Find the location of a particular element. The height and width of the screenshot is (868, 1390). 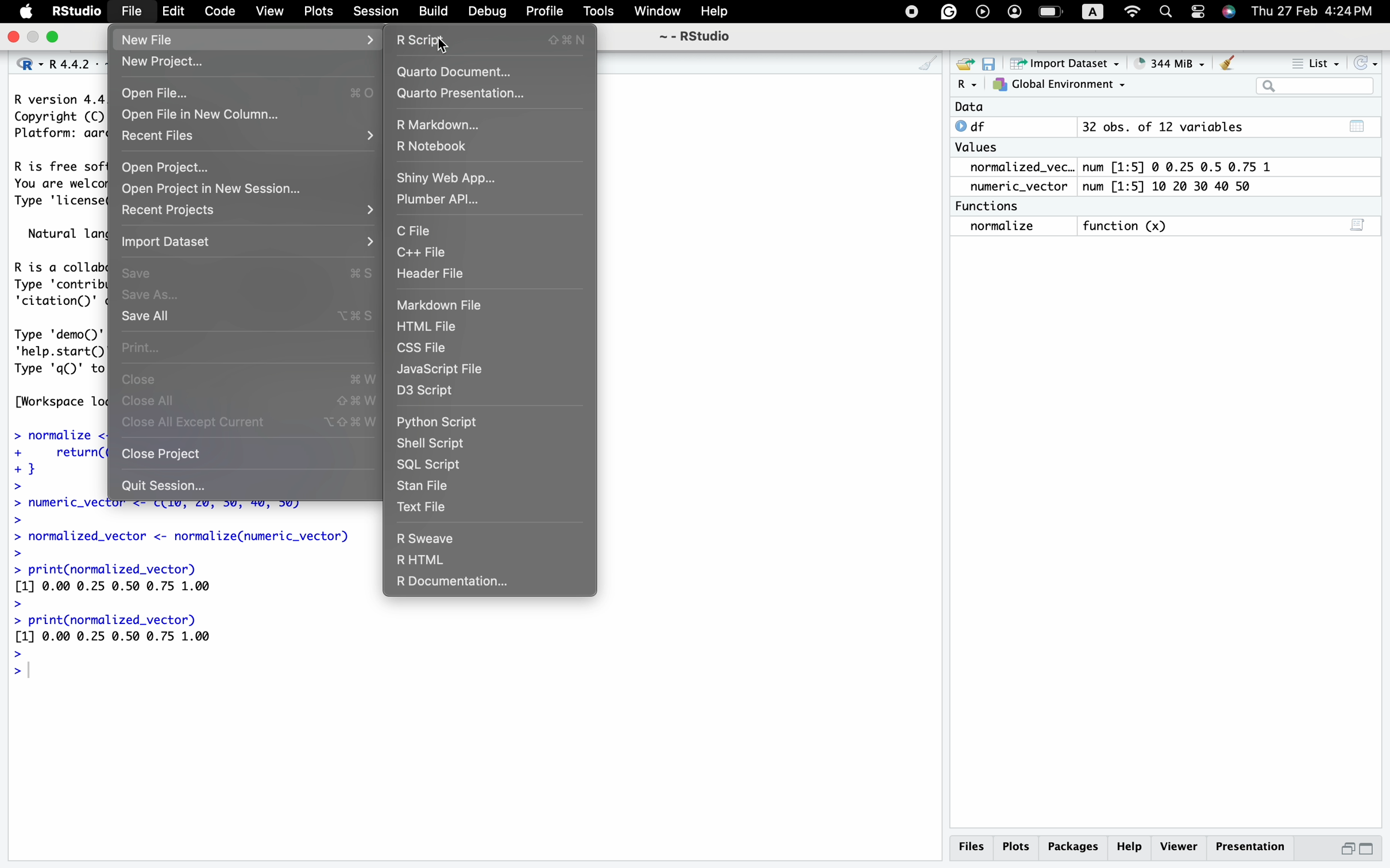

R Markdown... is located at coordinates (437, 126).